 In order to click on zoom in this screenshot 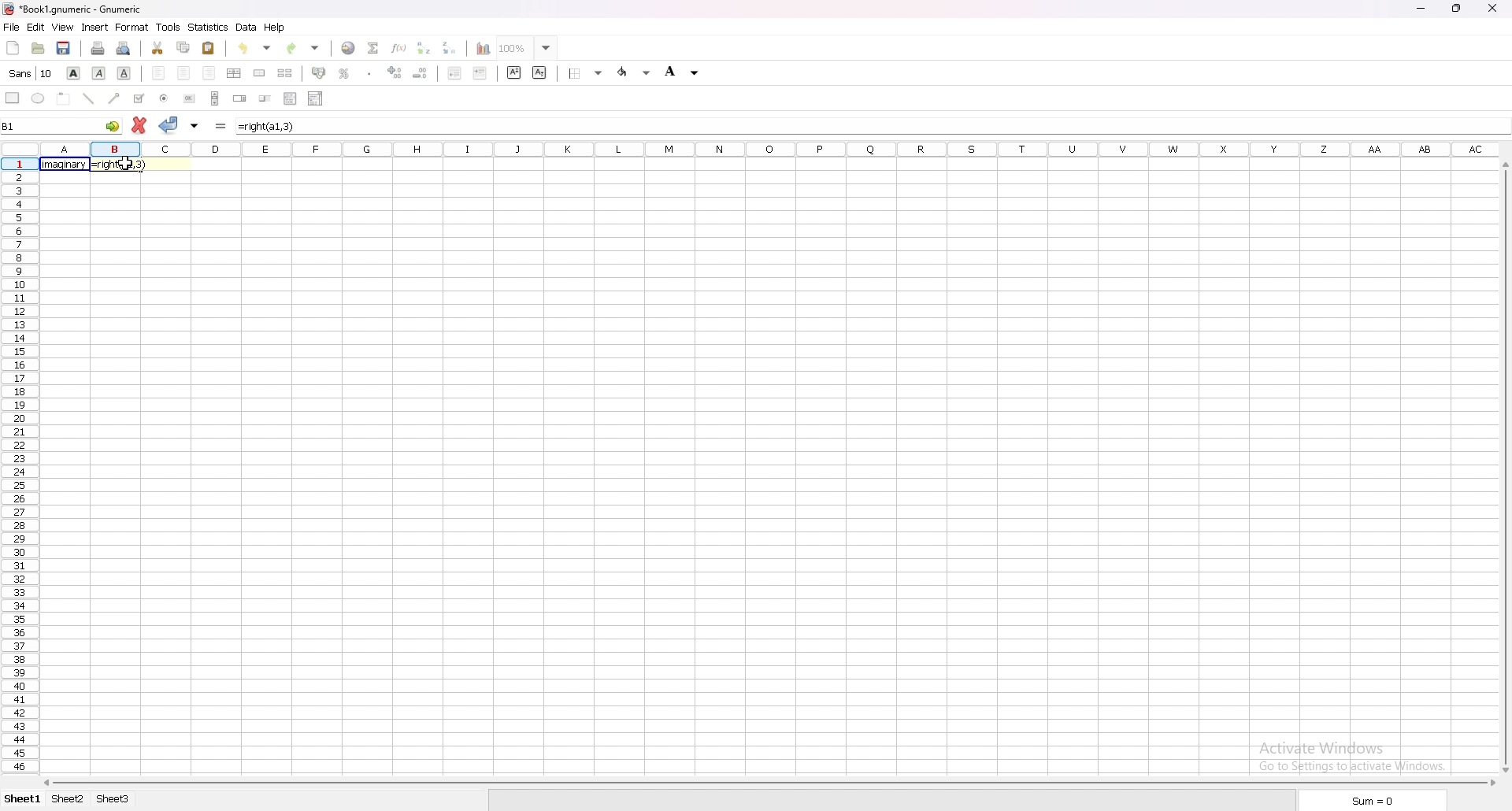, I will do `click(527, 47)`.